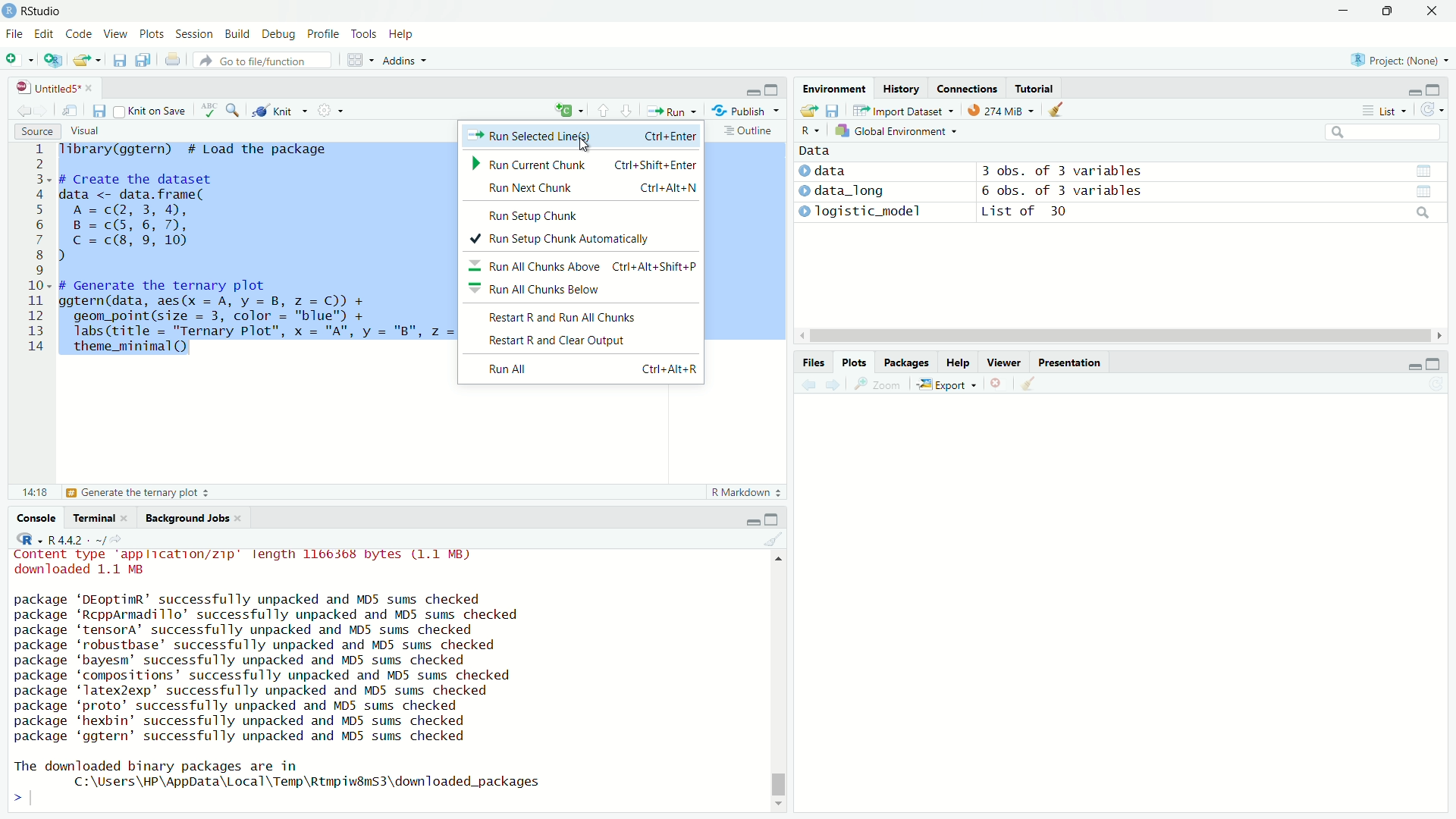  What do you see at coordinates (590, 145) in the screenshot?
I see `cursor` at bounding box center [590, 145].